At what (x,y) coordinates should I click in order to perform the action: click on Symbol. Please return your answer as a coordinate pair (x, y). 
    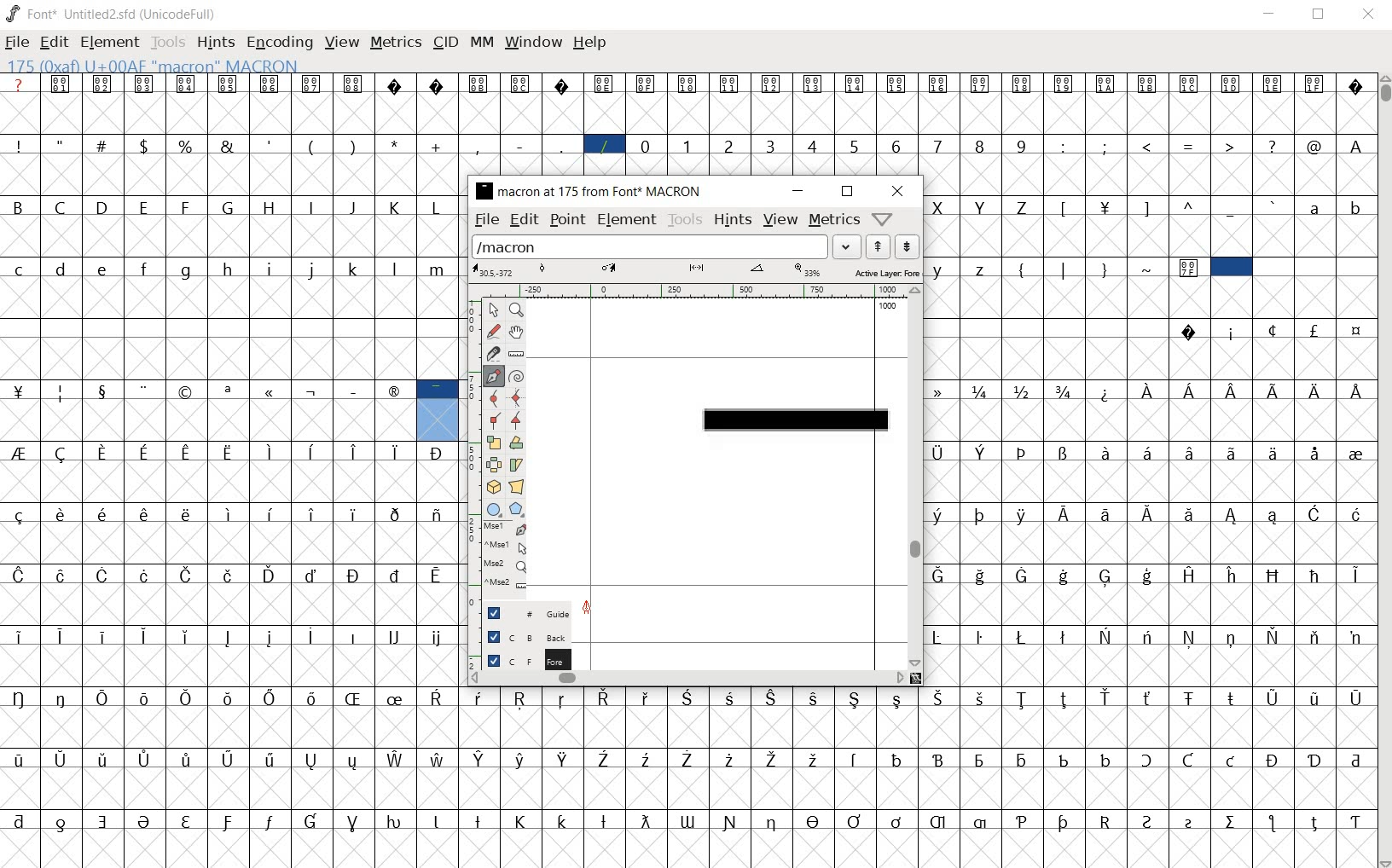
    Looking at the image, I should click on (980, 637).